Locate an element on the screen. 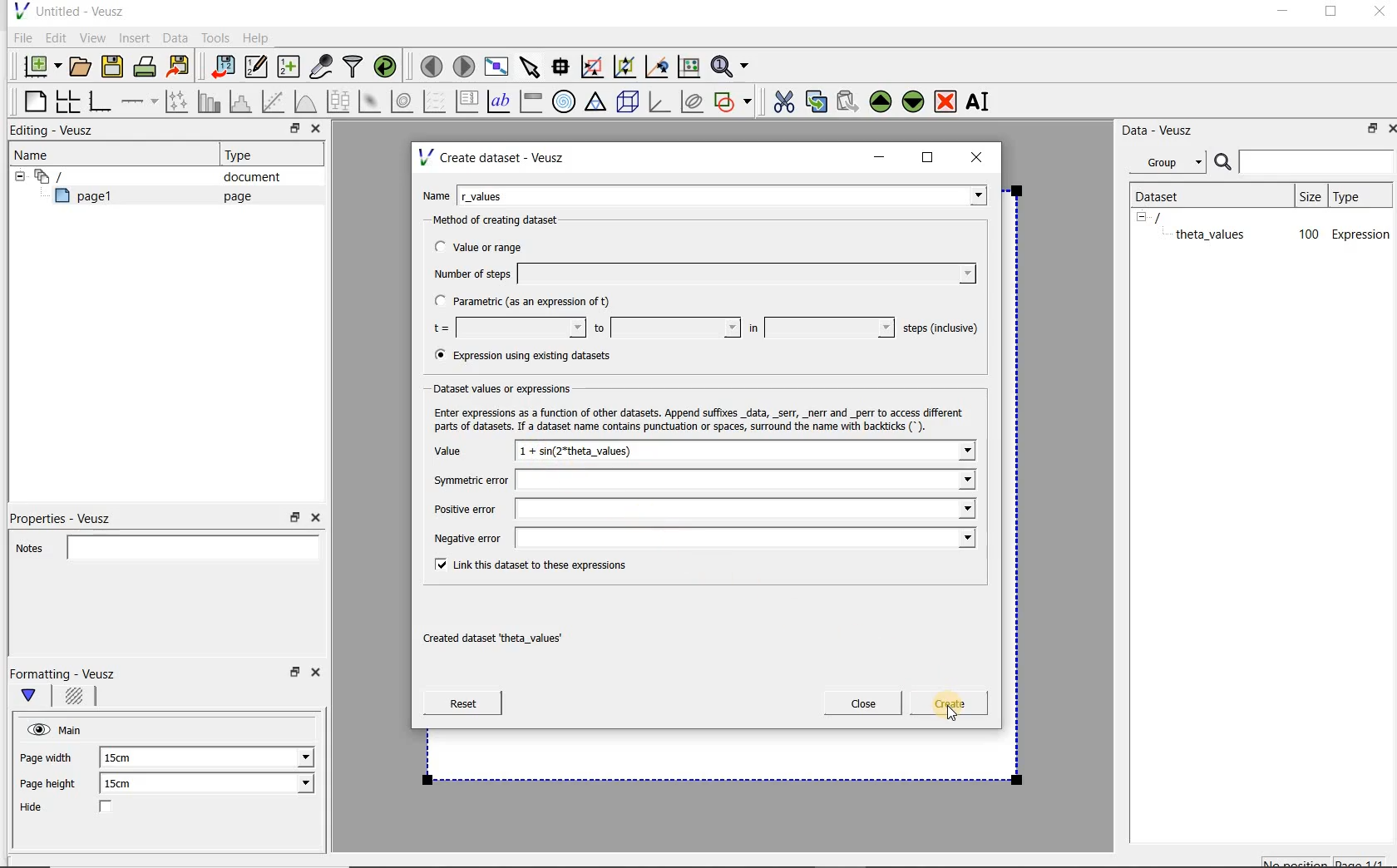  View is located at coordinates (92, 36).